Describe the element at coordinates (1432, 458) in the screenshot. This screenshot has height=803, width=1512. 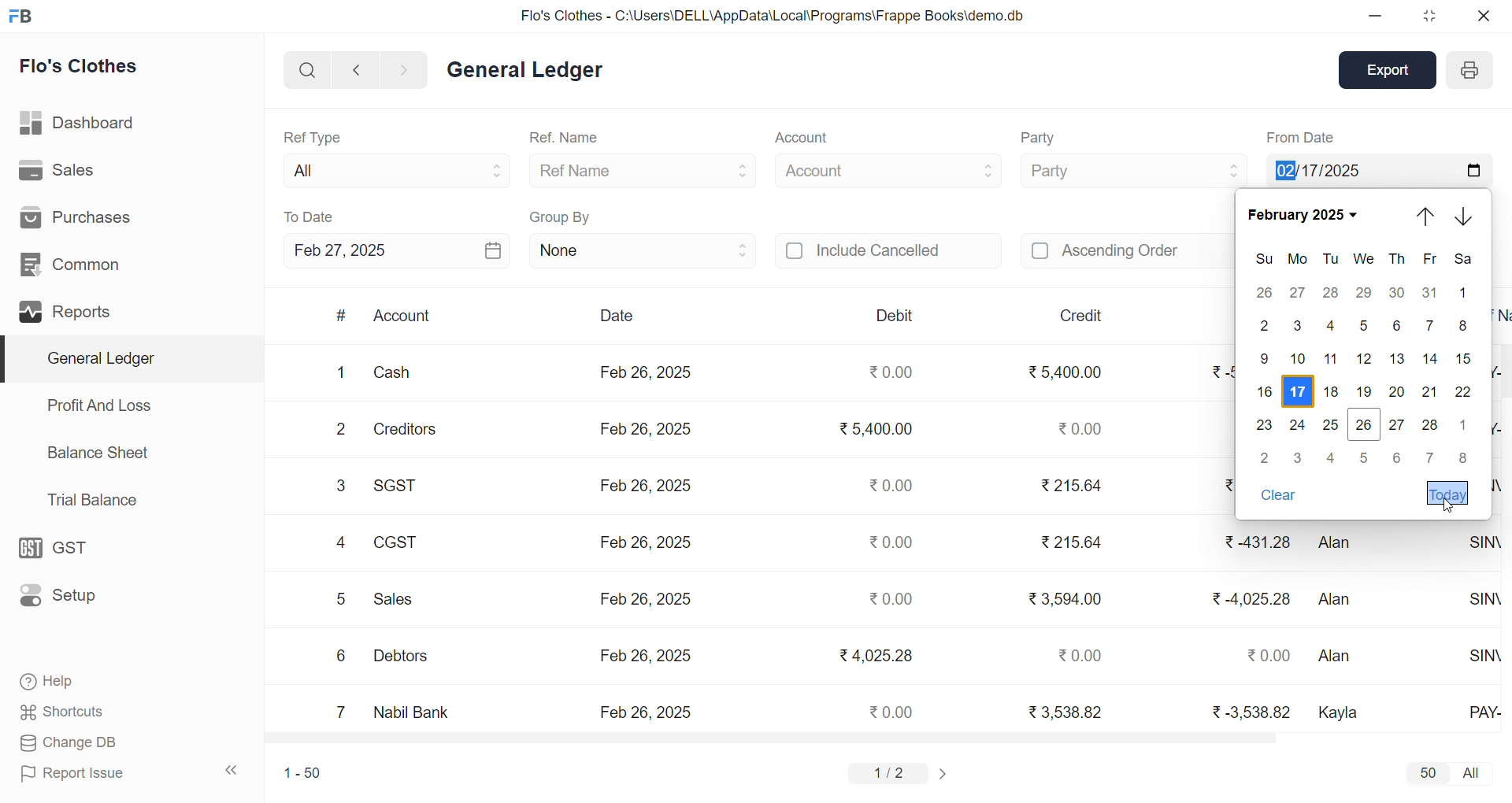
I see `7` at that location.